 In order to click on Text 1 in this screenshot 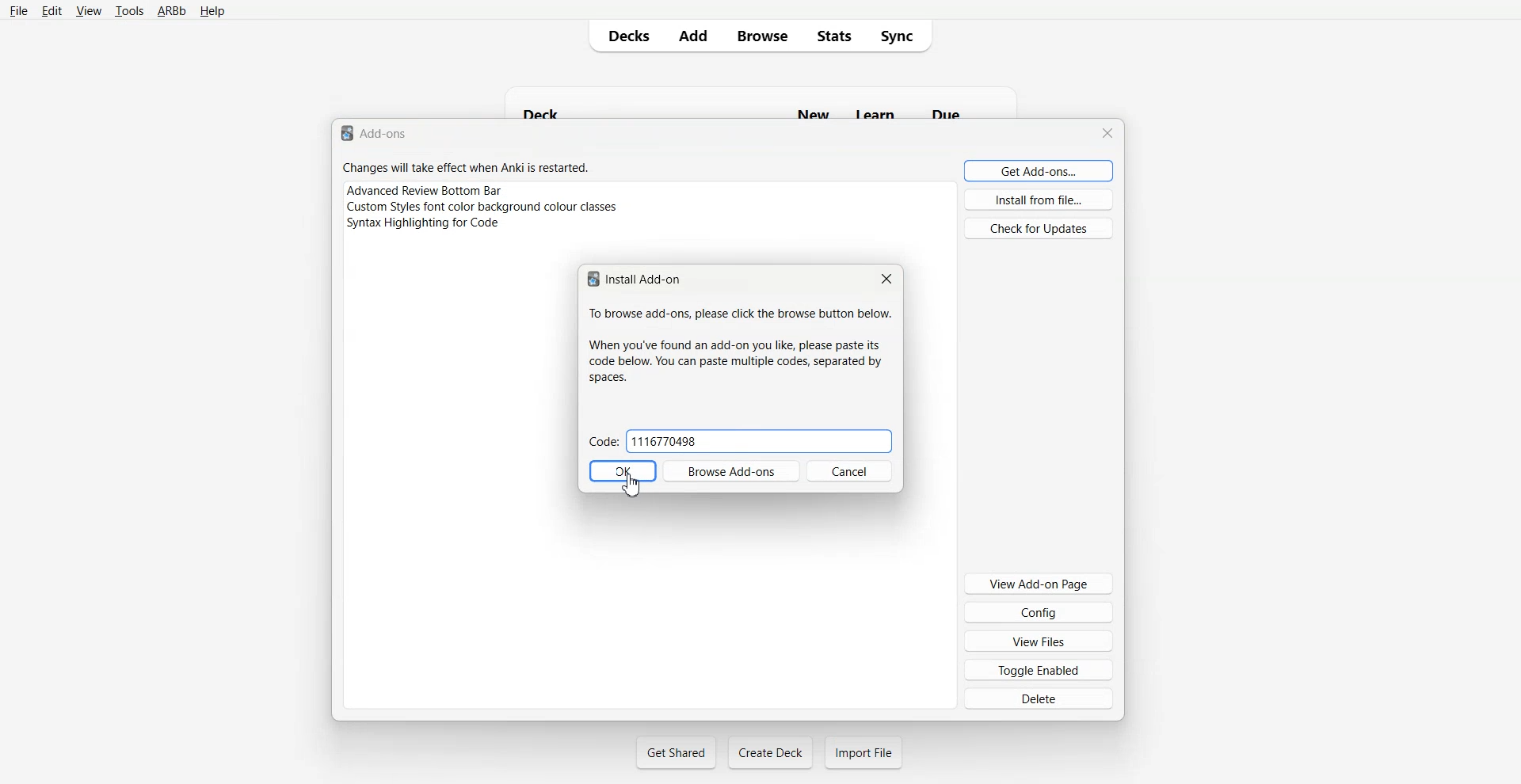, I will do `click(379, 134)`.